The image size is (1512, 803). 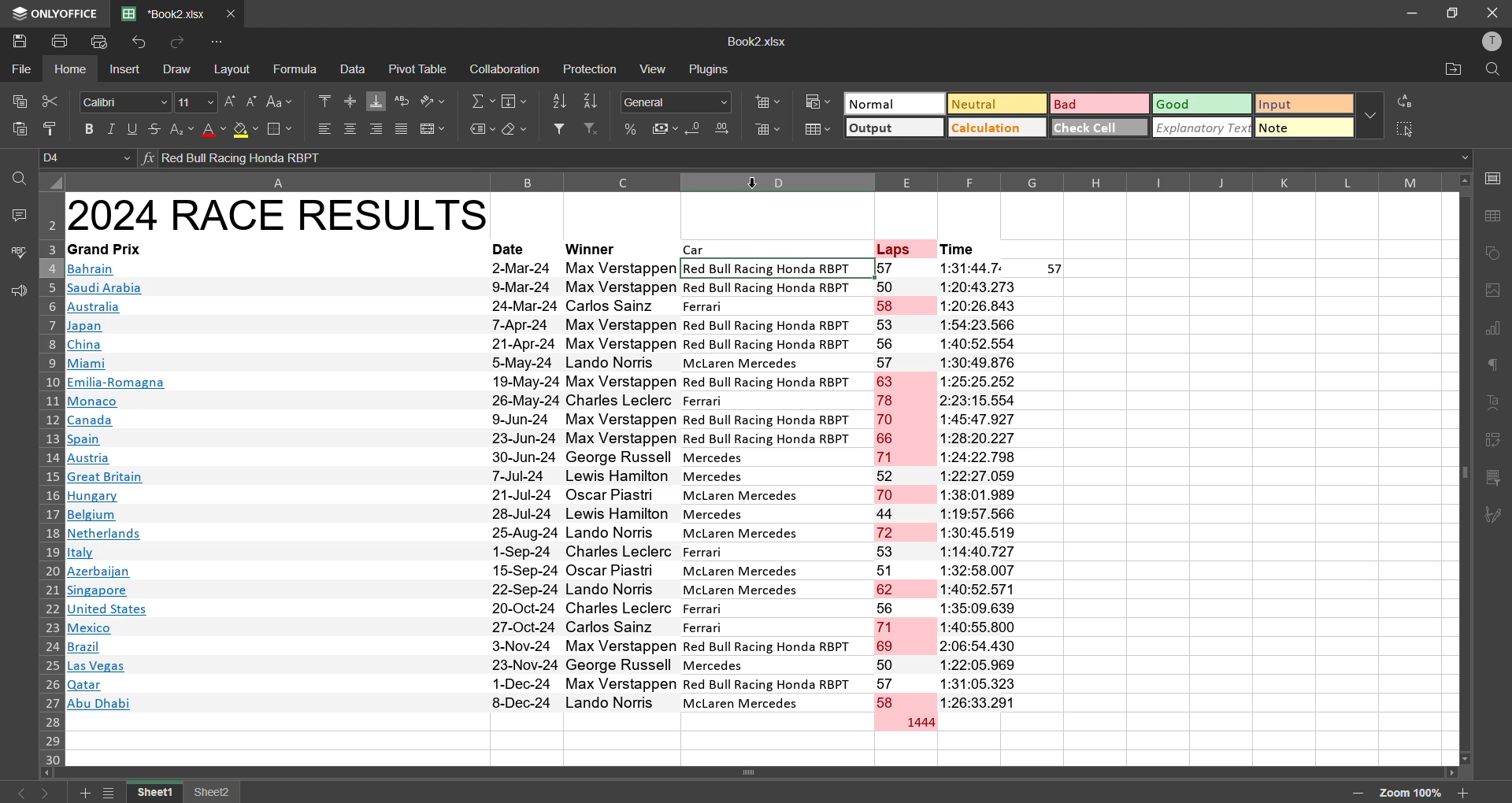 What do you see at coordinates (82, 793) in the screenshot?
I see `add new worksheet` at bounding box center [82, 793].